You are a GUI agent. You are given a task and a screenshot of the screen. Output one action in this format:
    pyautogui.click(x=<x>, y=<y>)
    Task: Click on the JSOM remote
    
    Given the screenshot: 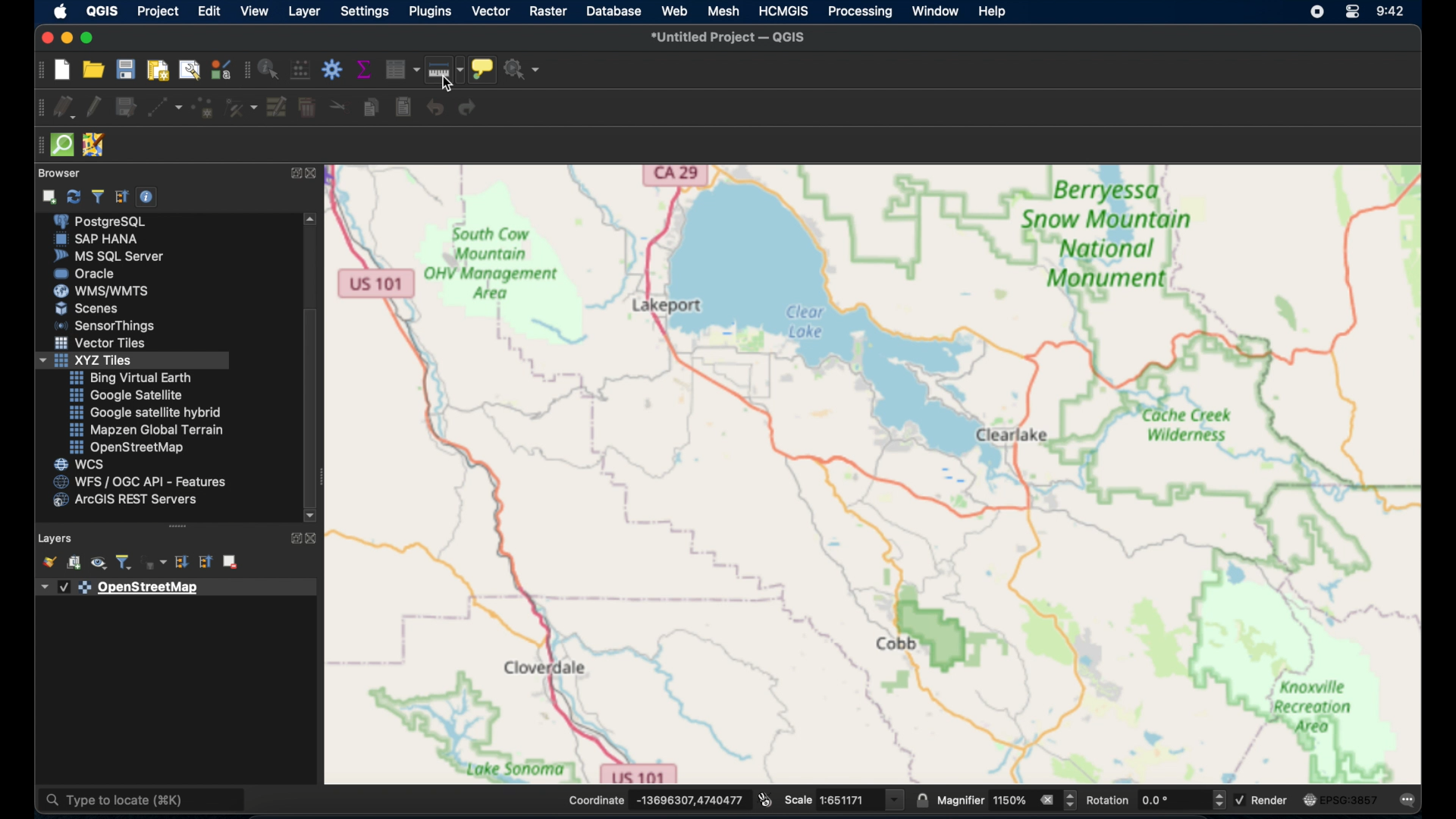 What is the action you would take?
    pyautogui.click(x=93, y=143)
    